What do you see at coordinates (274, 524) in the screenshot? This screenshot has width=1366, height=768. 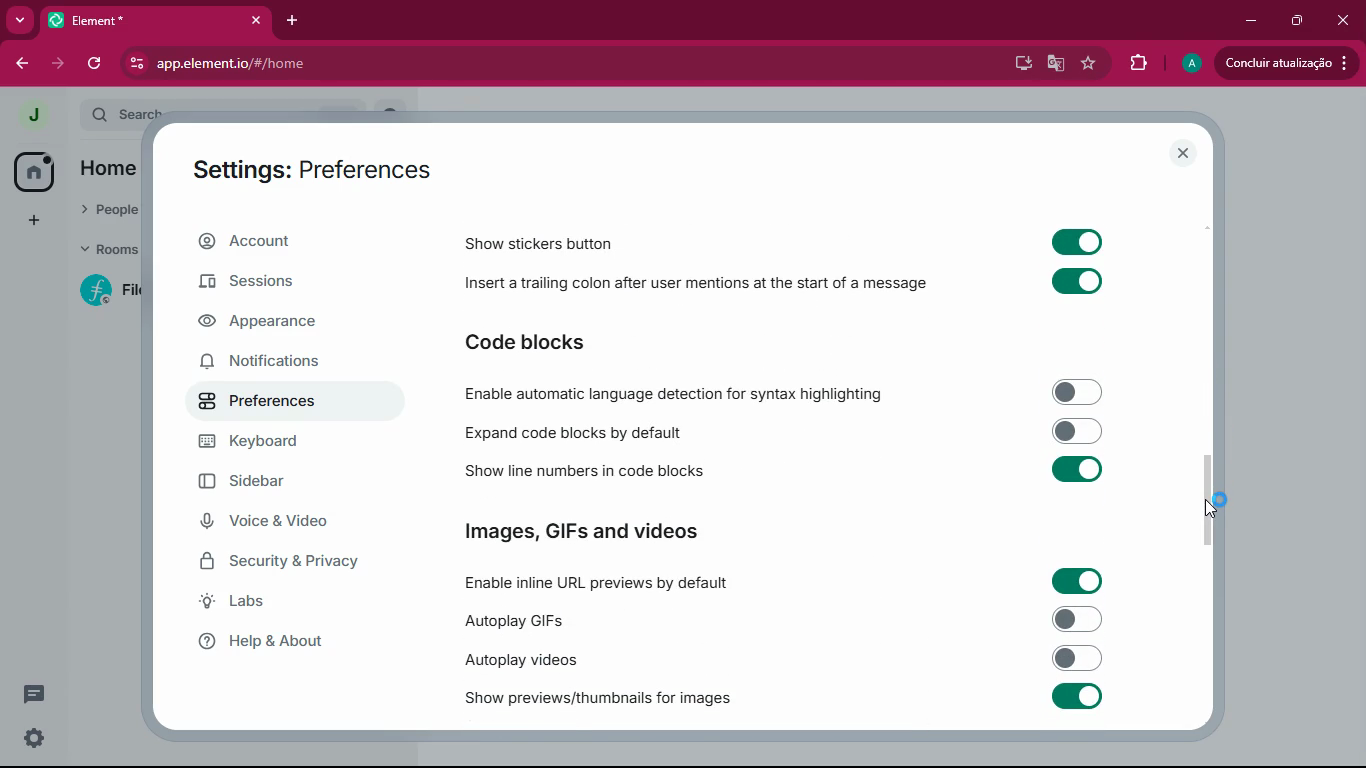 I see `Voice & Video` at bounding box center [274, 524].